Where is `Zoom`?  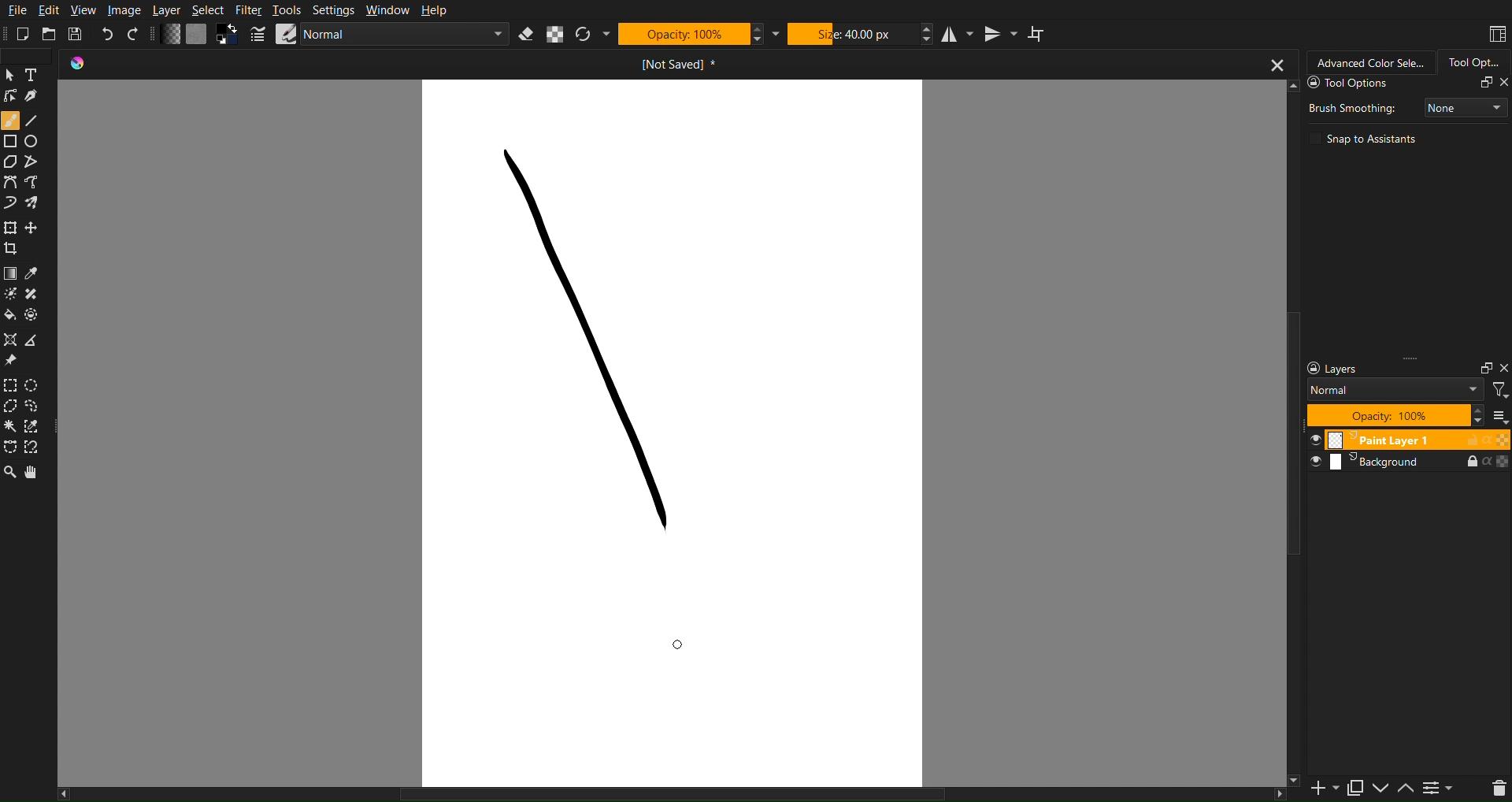
Zoom is located at coordinates (11, 472).